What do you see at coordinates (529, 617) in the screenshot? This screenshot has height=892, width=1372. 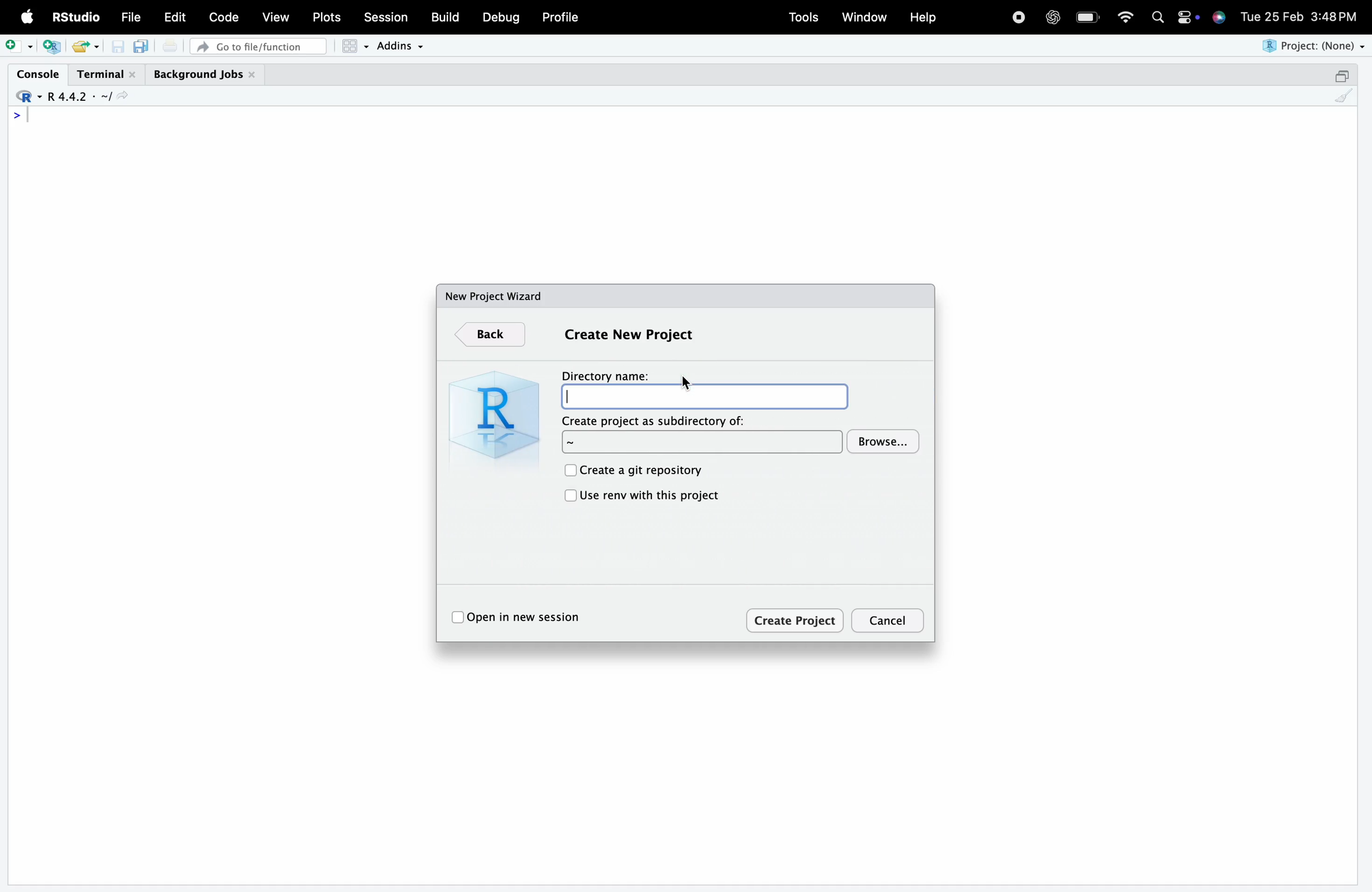 I see `Open in new session` at bounding box center [529, 617].